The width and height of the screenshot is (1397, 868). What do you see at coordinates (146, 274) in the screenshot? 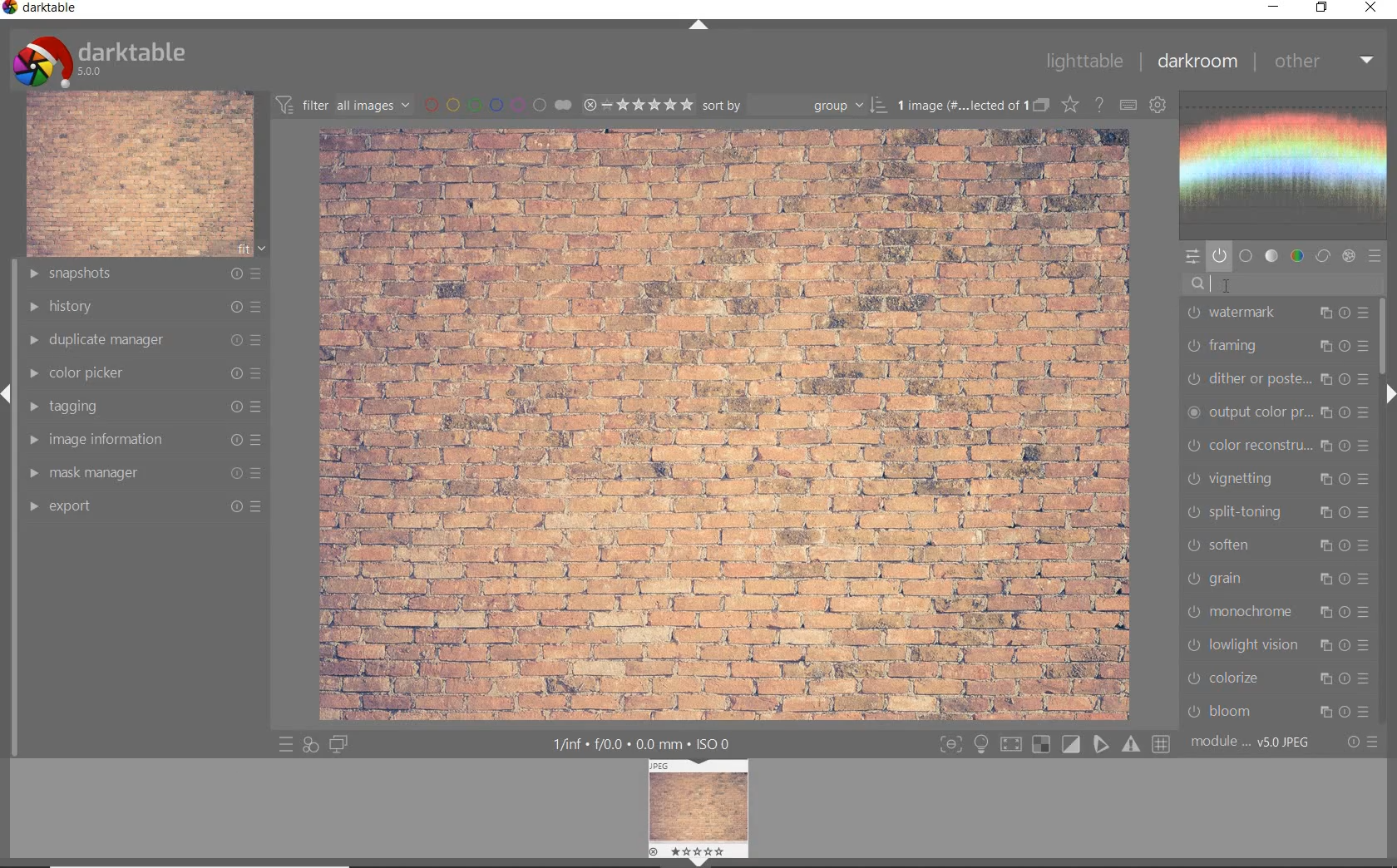
I see `snapshots` at bounding box center [146, 274].